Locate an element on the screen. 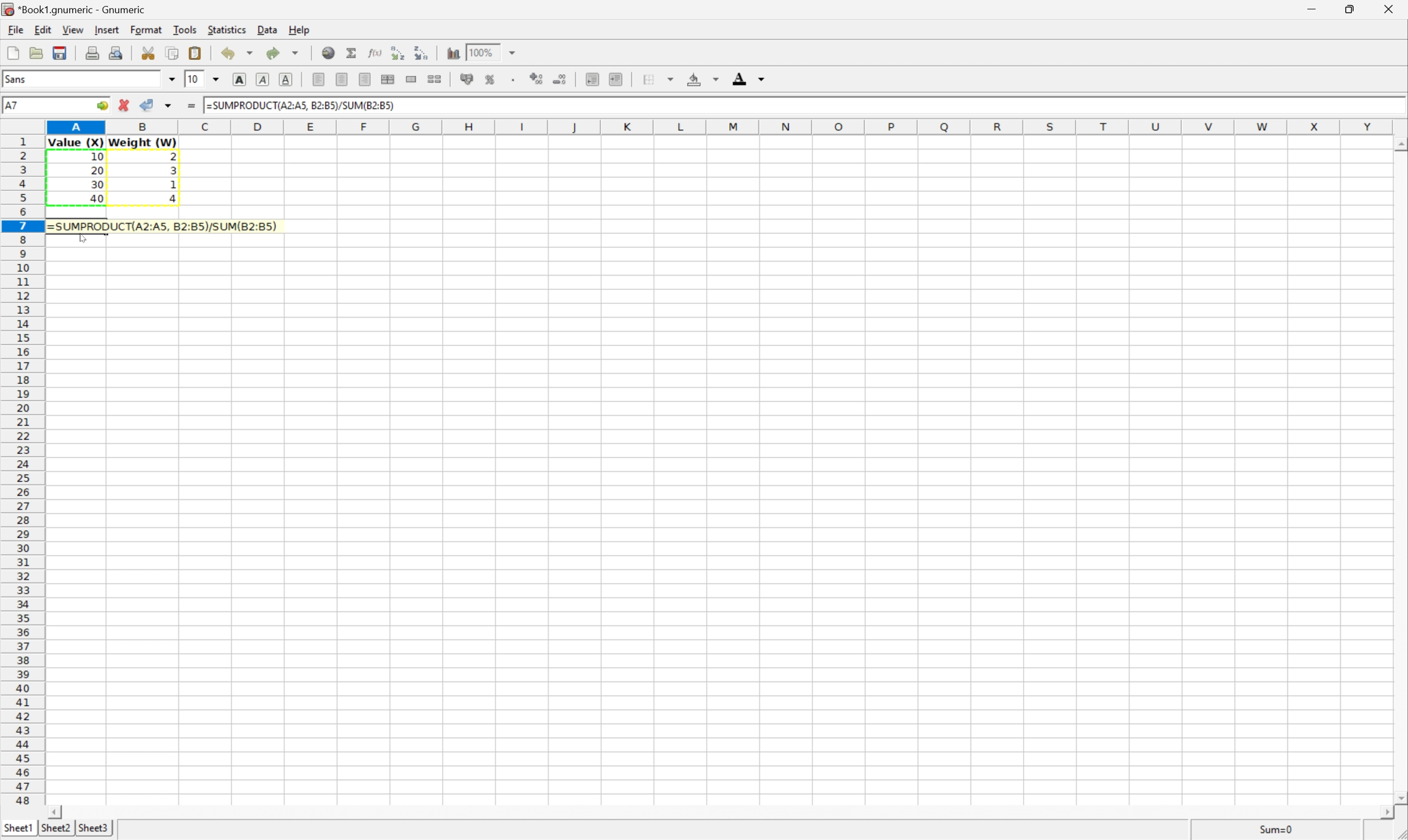  Borders is located at coordinates (657, 77).